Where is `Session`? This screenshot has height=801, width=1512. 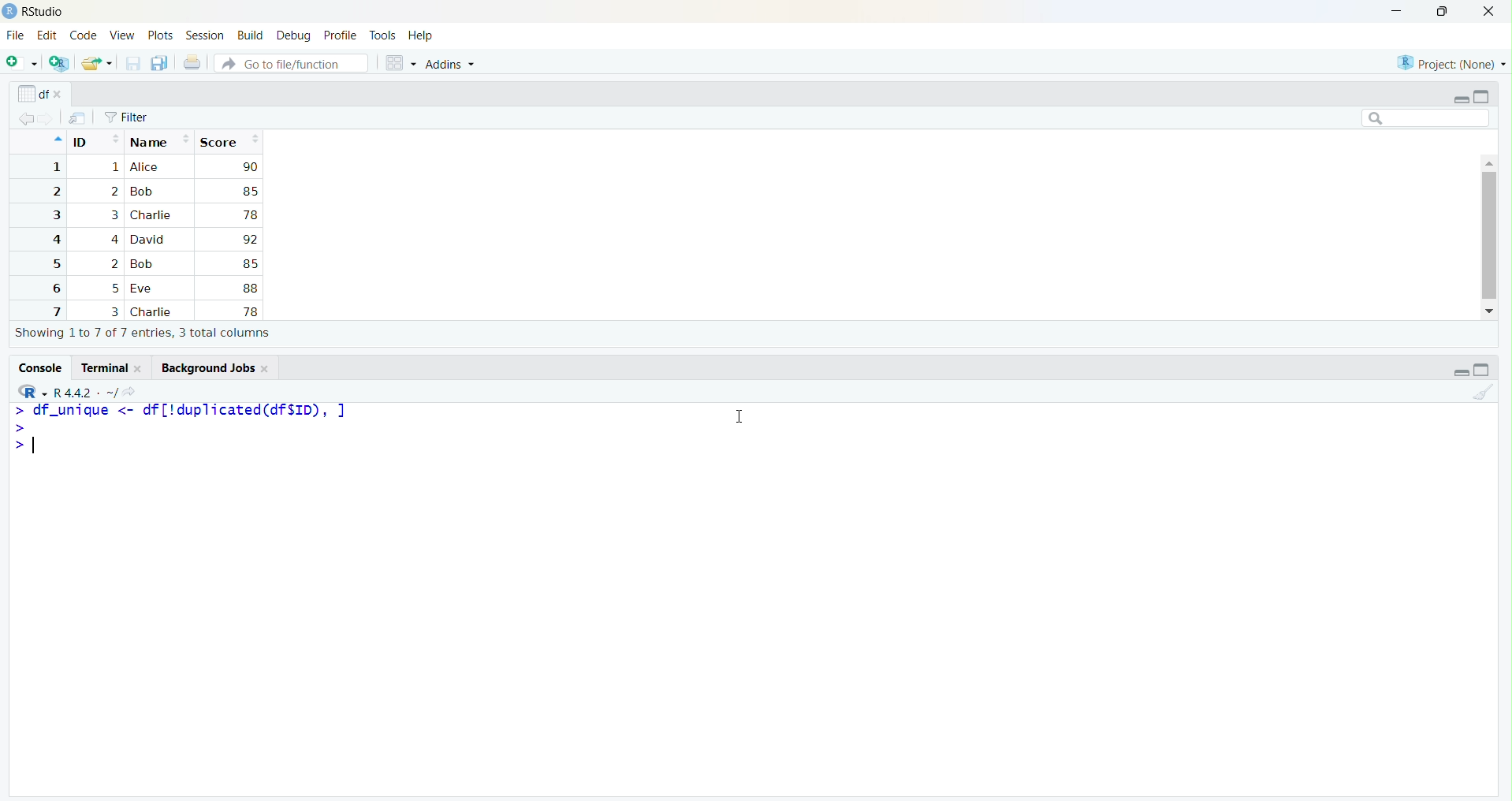 Session is located at coordinates (206, 35).